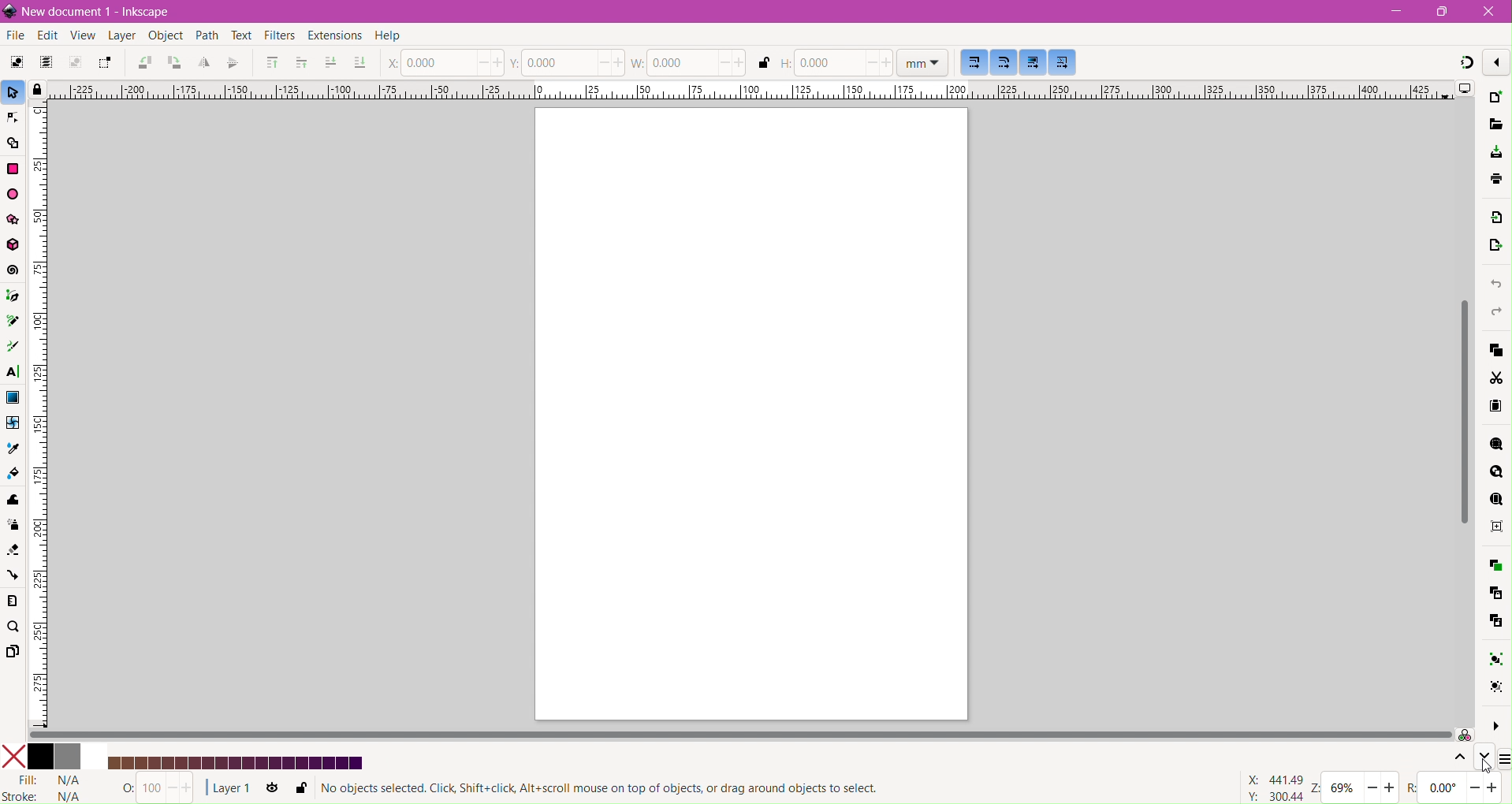  What do you see at coordinates (1004, 61) in the screenshot?
I see `When scaling rectangles, scale the radii of rounded corners` at bounding box center [1004, 61].